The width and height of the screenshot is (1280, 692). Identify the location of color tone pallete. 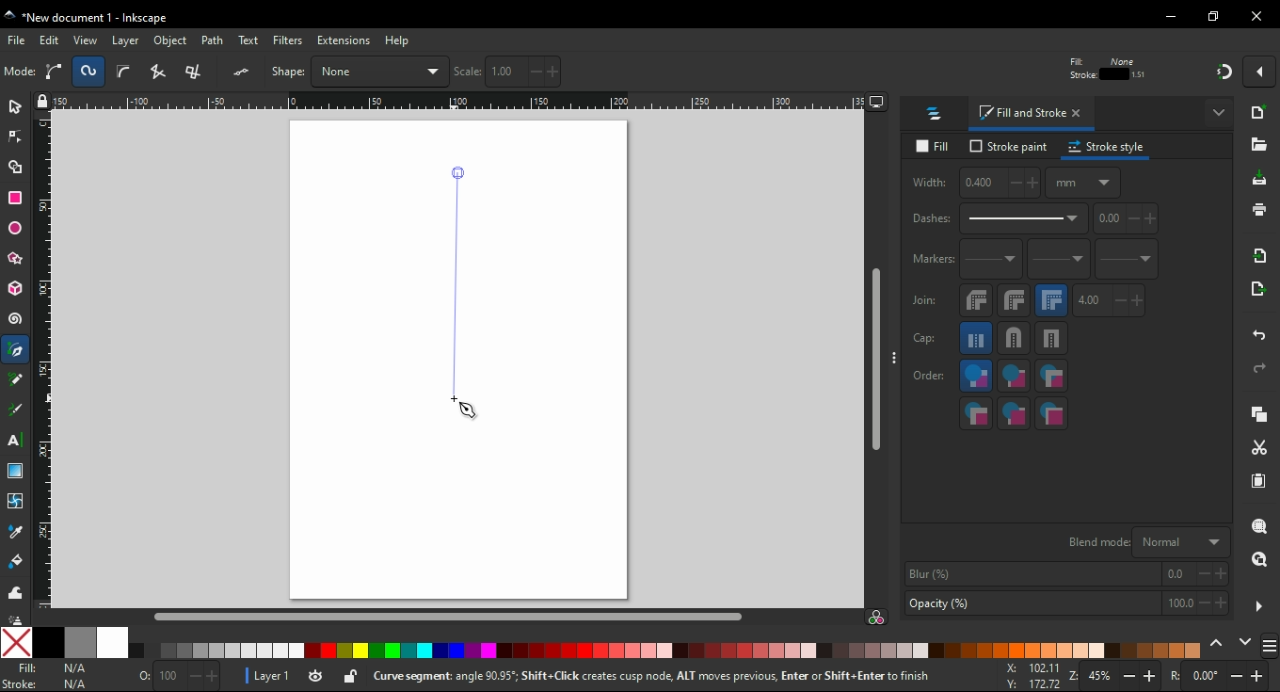
(219, 651).